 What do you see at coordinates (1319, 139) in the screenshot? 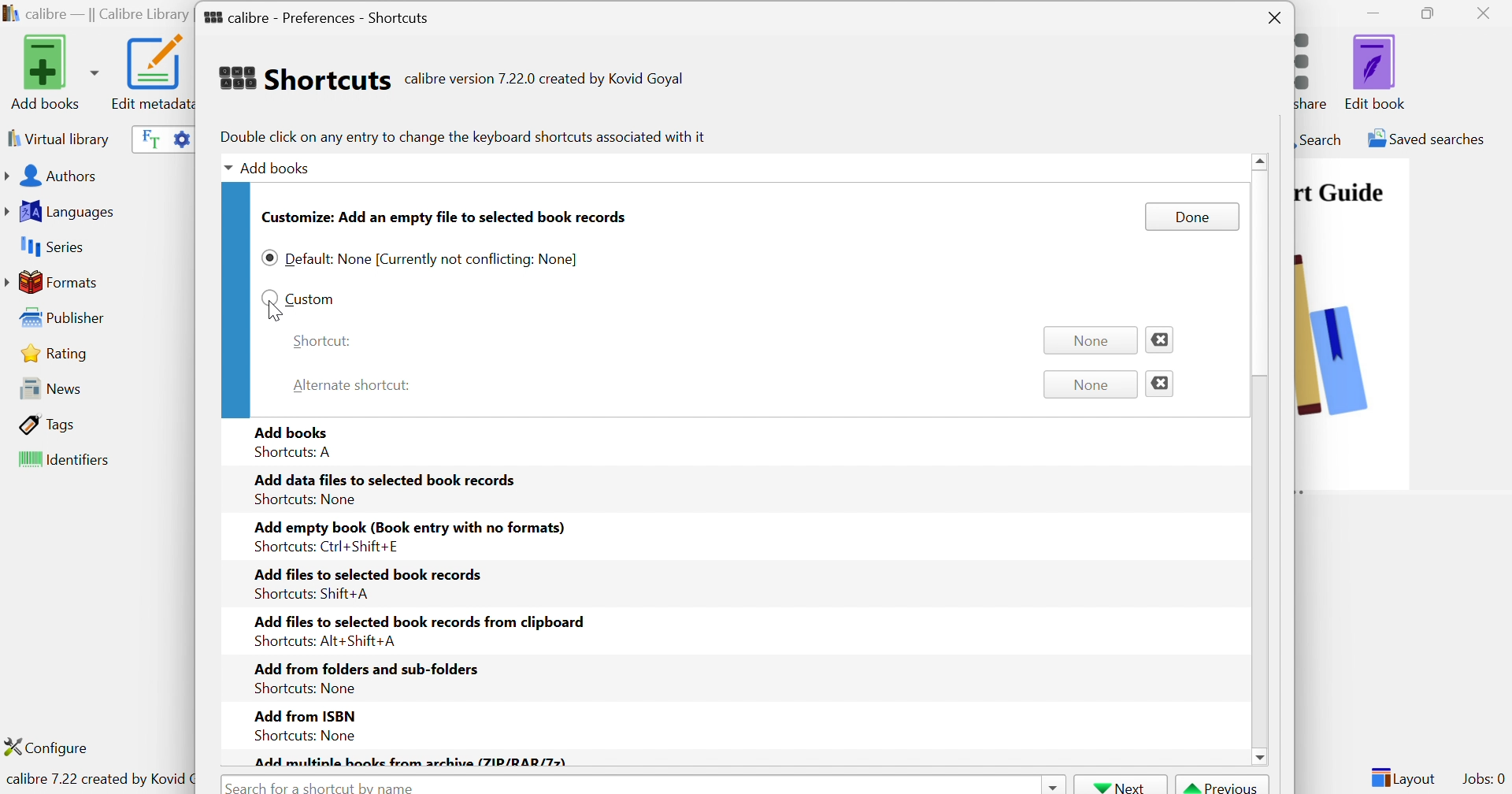
I see `Search` at bounding box center [1319, 139].